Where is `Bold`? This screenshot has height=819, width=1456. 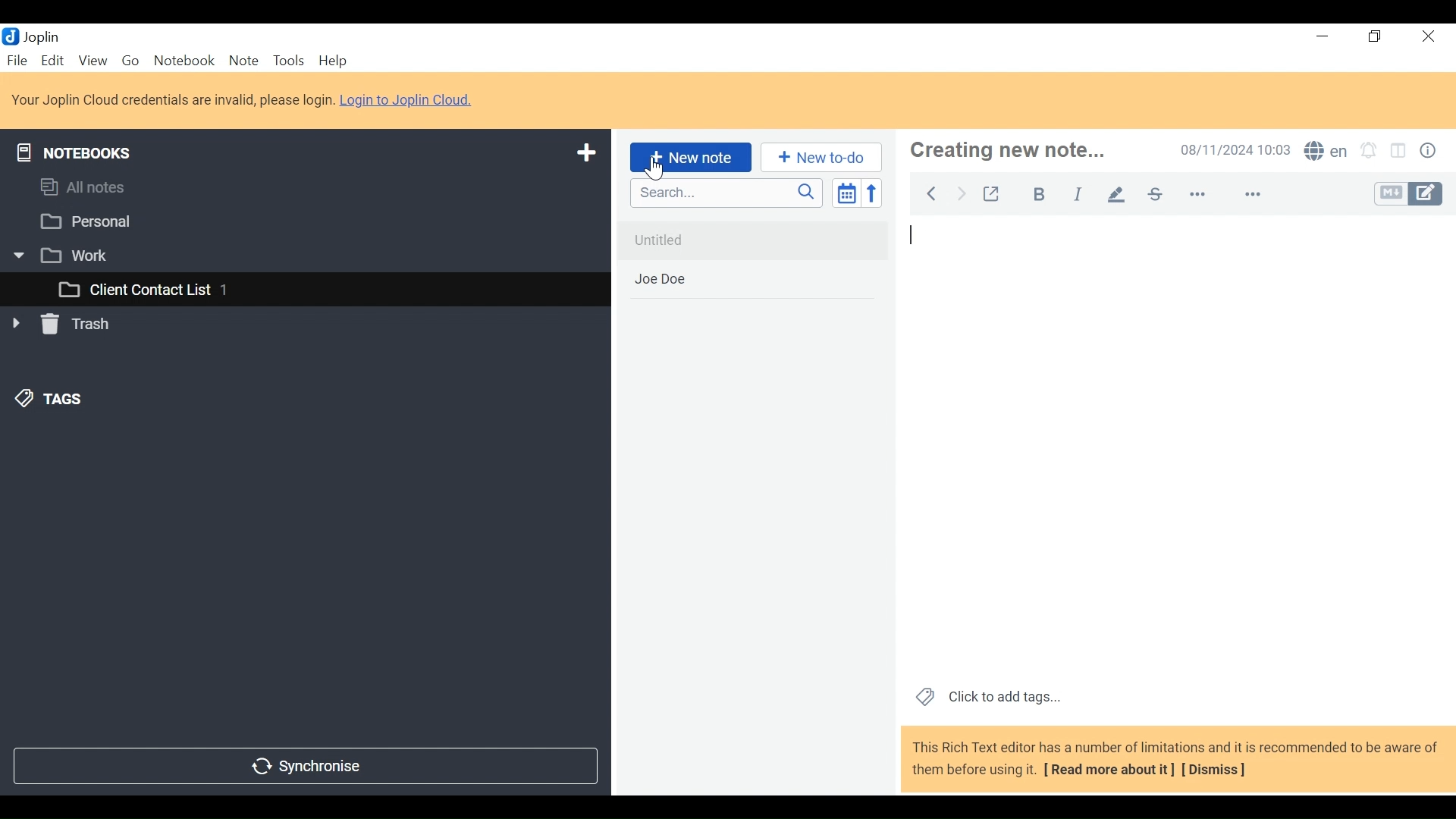 Bold is located at coordinates (1040, 194).